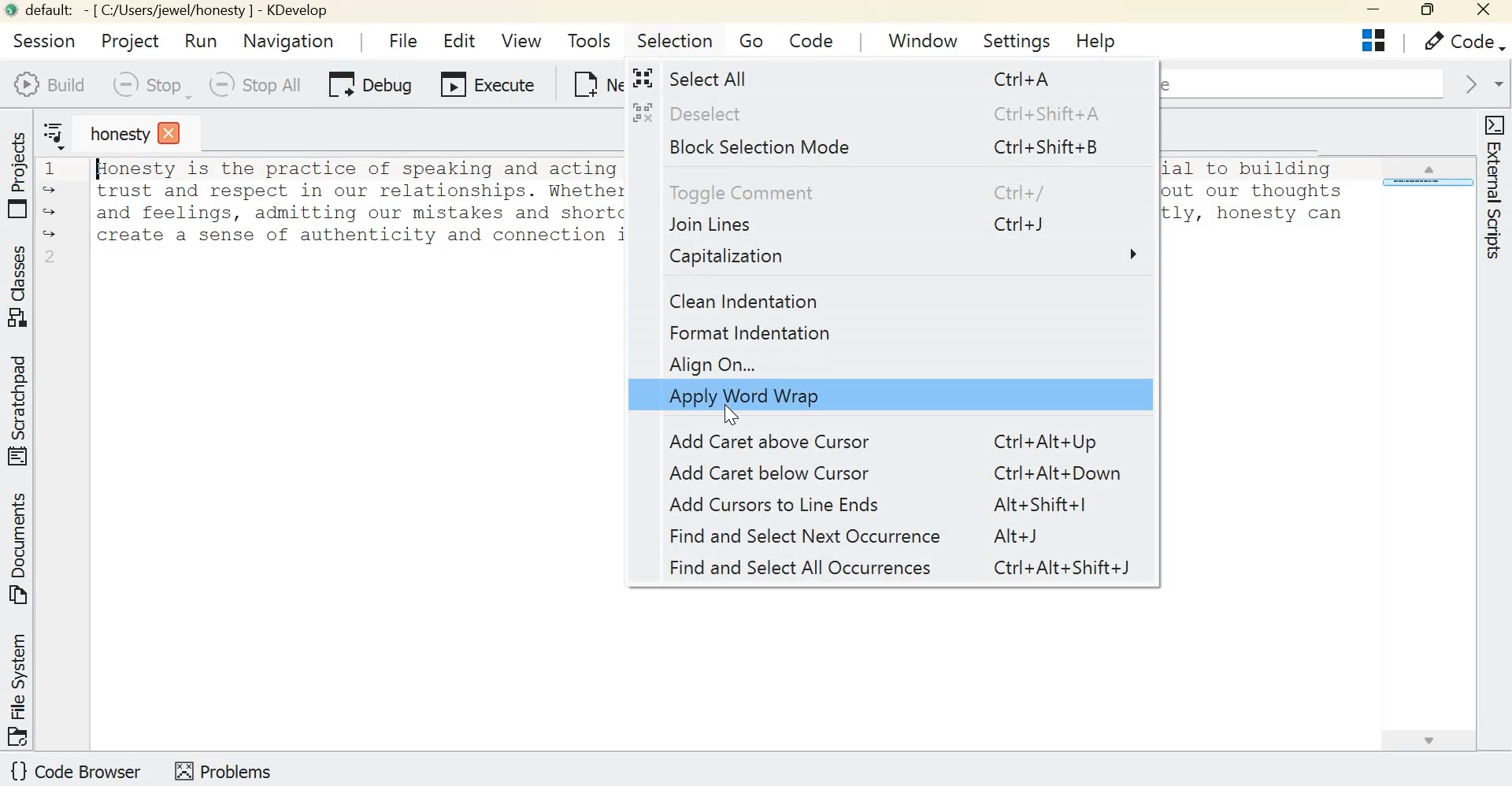 This screenshot has width=1512, height=786. Describe the element at coordinates (487, 87) in the screenshot. I see `Execute current launch` at that location.